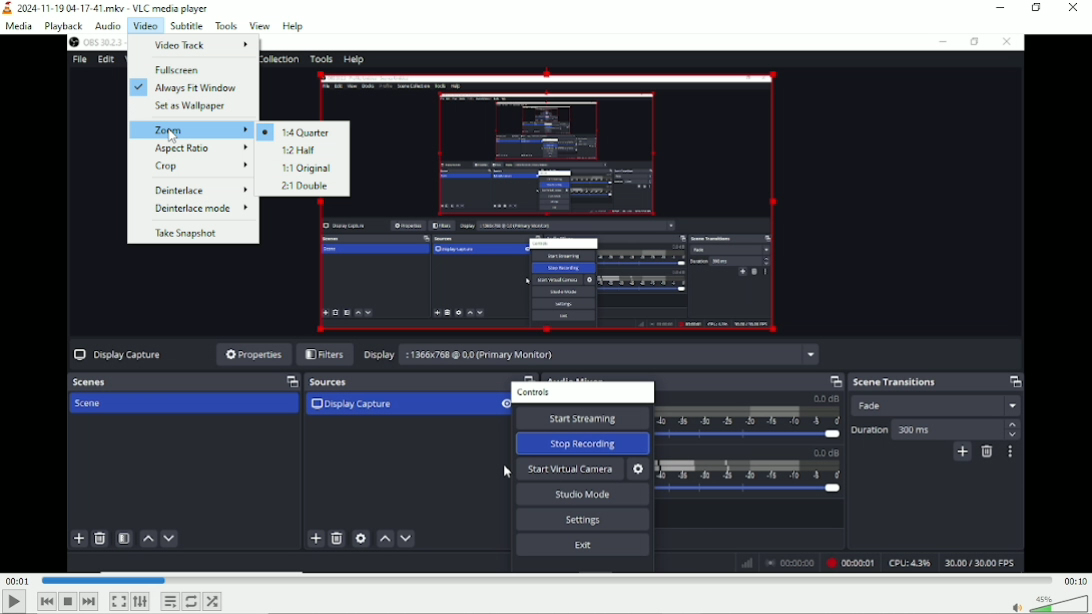 This screenshot has width=1092, height=614. What do you see at coordinates (179, 70) in the screenshot?
I see `Fullscreen` at bounding box center [179, 70].